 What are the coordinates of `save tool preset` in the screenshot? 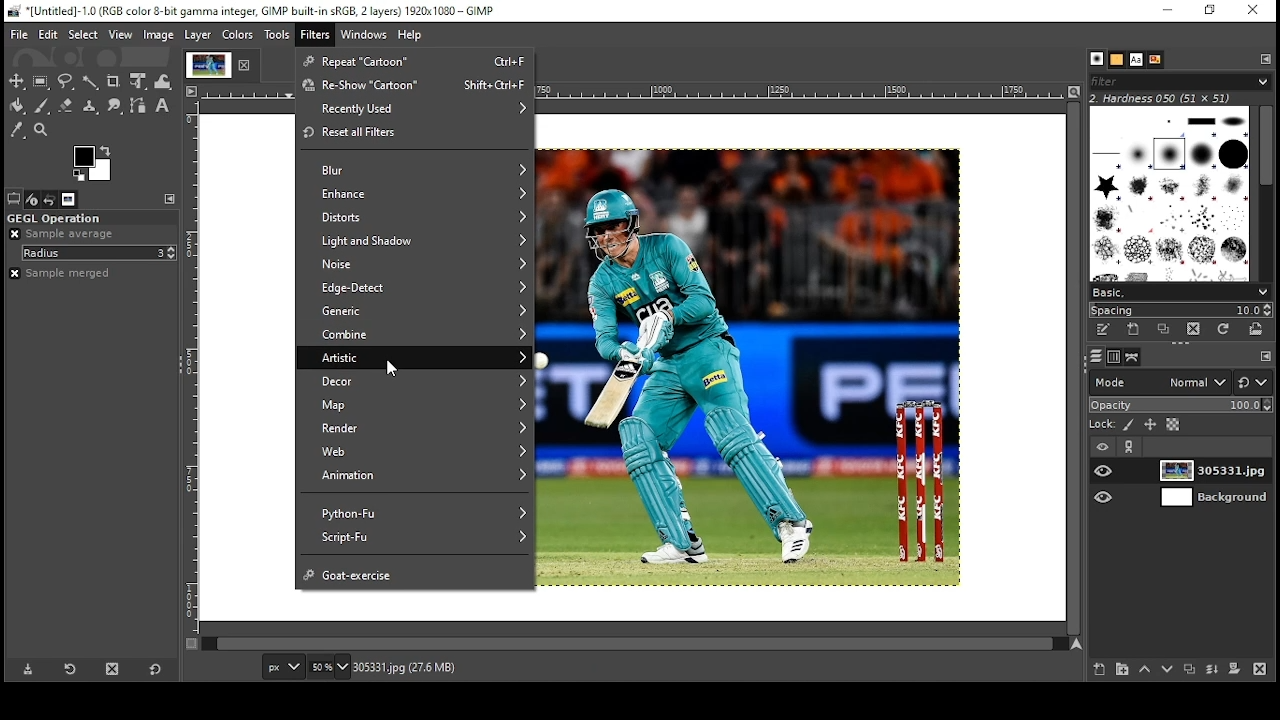 It's located at (29, 669).